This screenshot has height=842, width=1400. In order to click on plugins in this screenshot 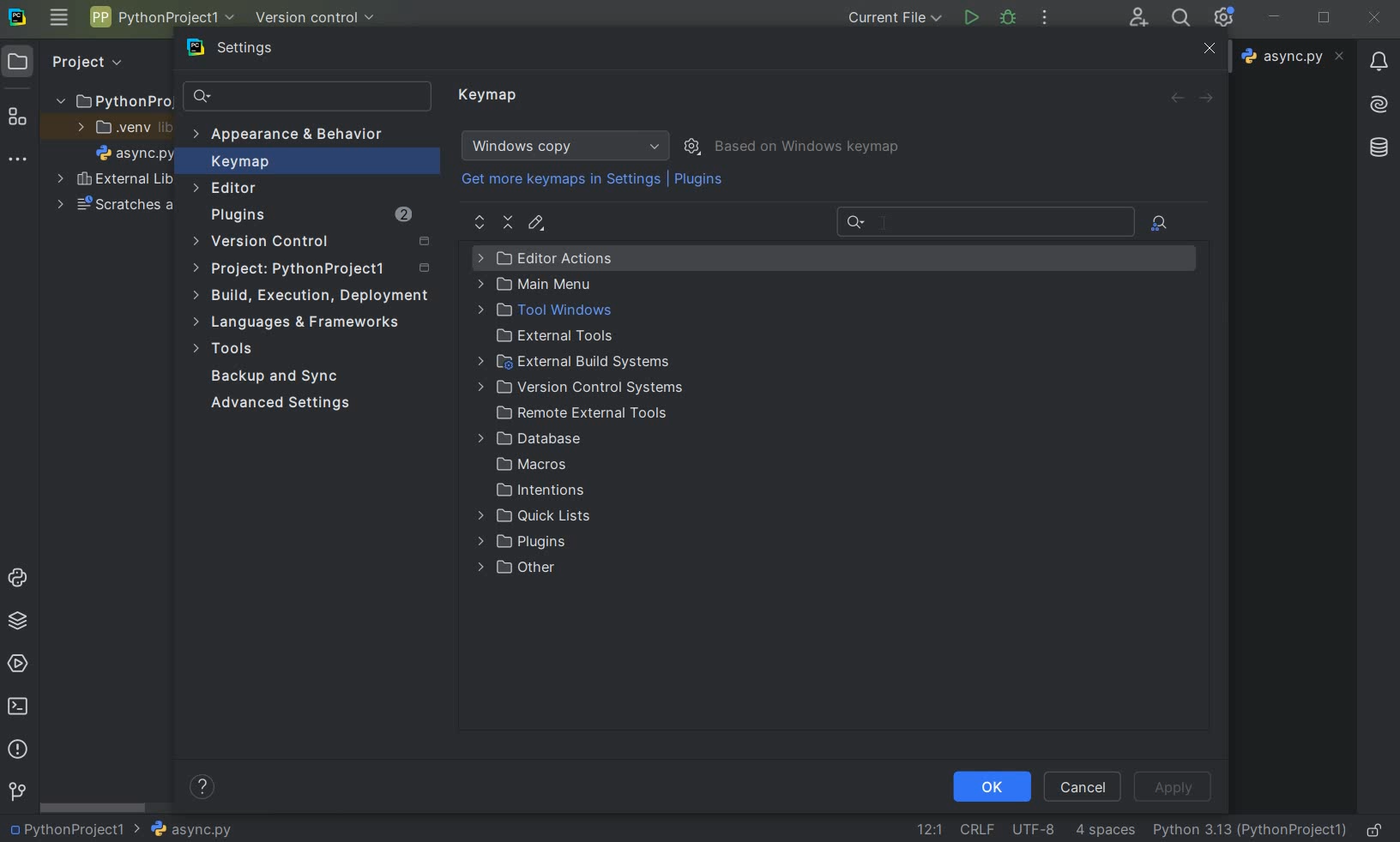, I will do `click(310, 217)`.